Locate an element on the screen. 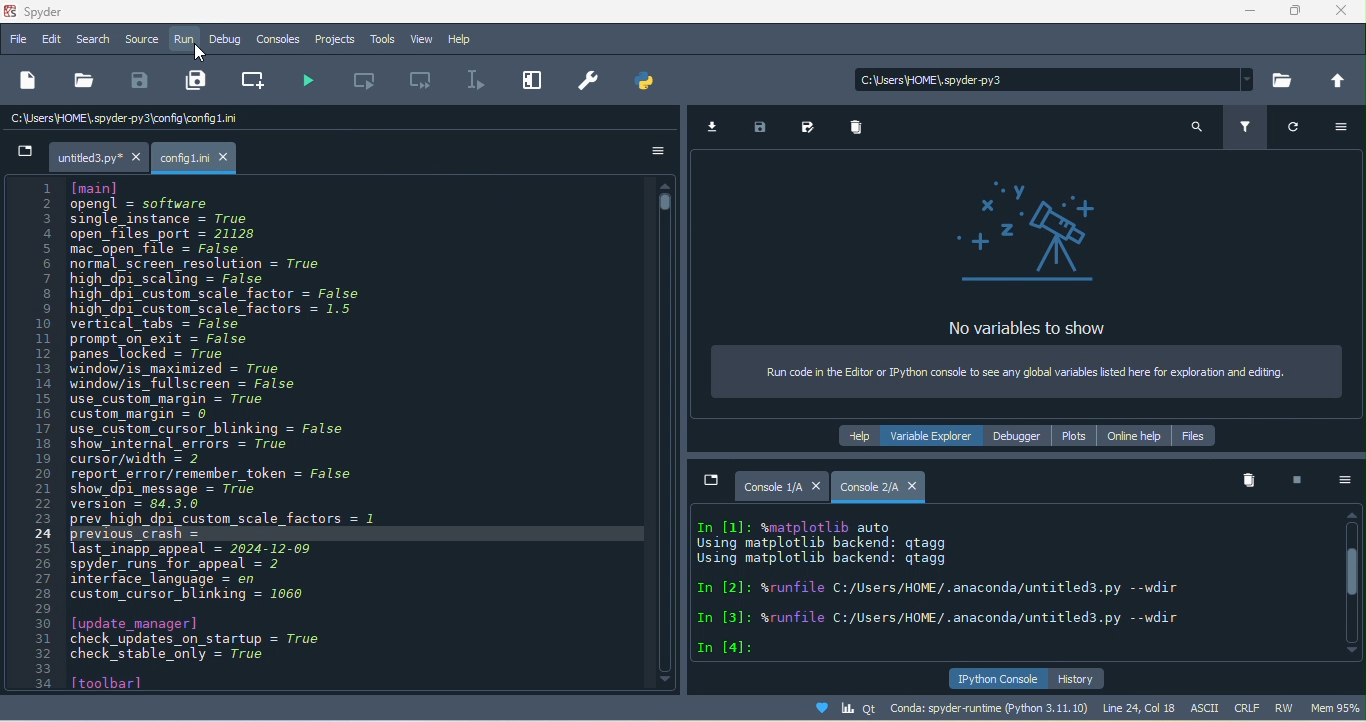 The image size is (1366, 722). file is located at coordinates (18, 40).